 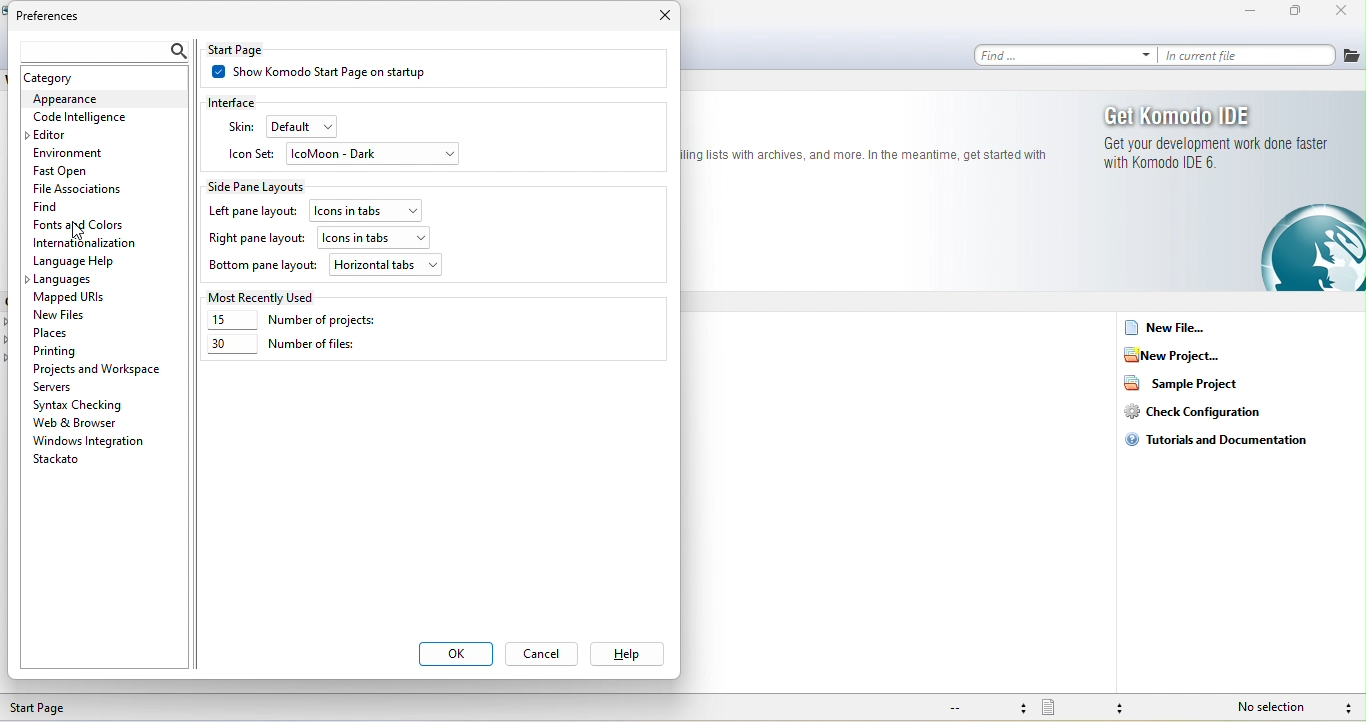 What do you see at coordinates (661, 13) in the screenshot?
I see `close` at bounding box center [661, 13].